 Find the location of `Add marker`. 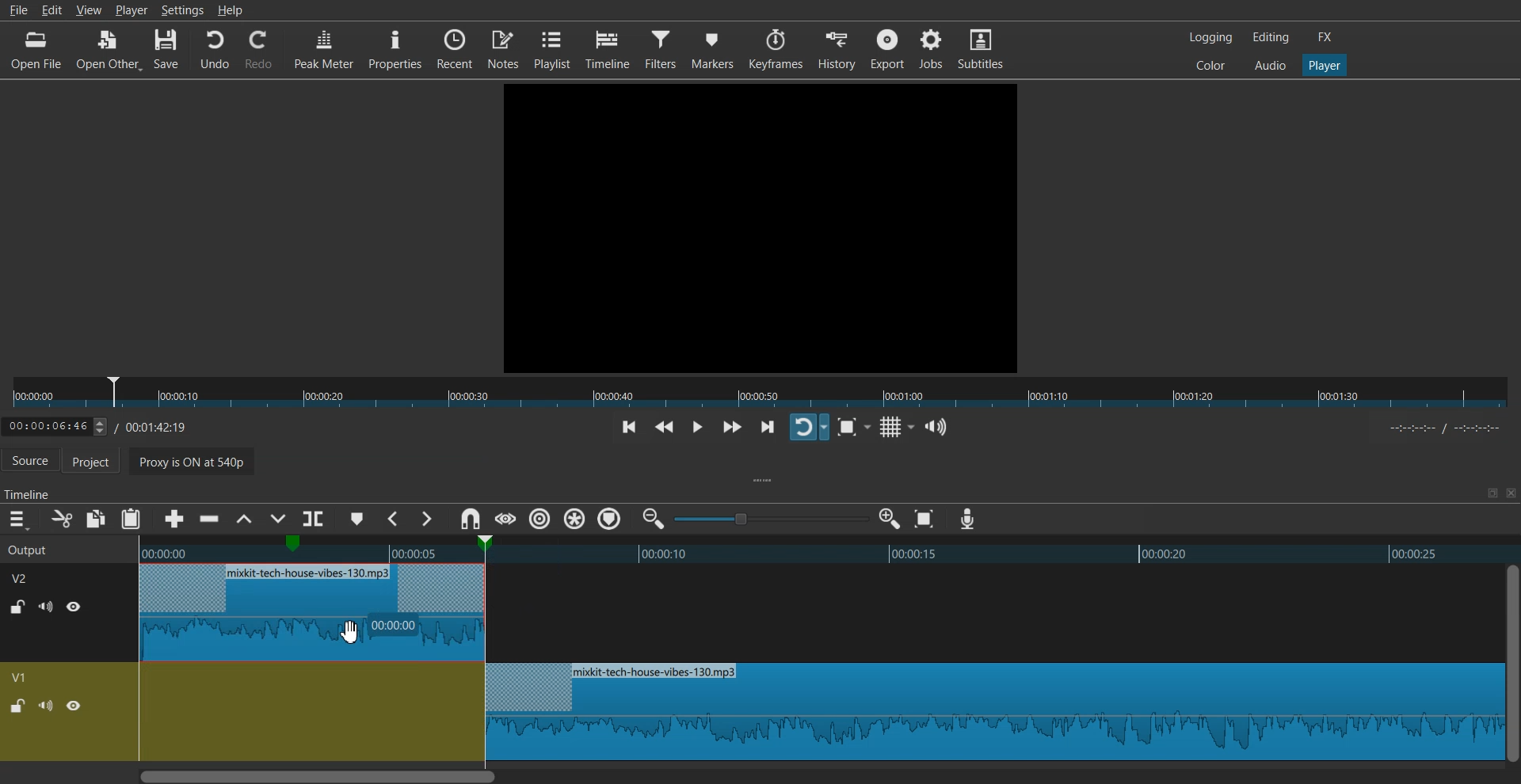

Add marker is located at coordinates (357, 519).